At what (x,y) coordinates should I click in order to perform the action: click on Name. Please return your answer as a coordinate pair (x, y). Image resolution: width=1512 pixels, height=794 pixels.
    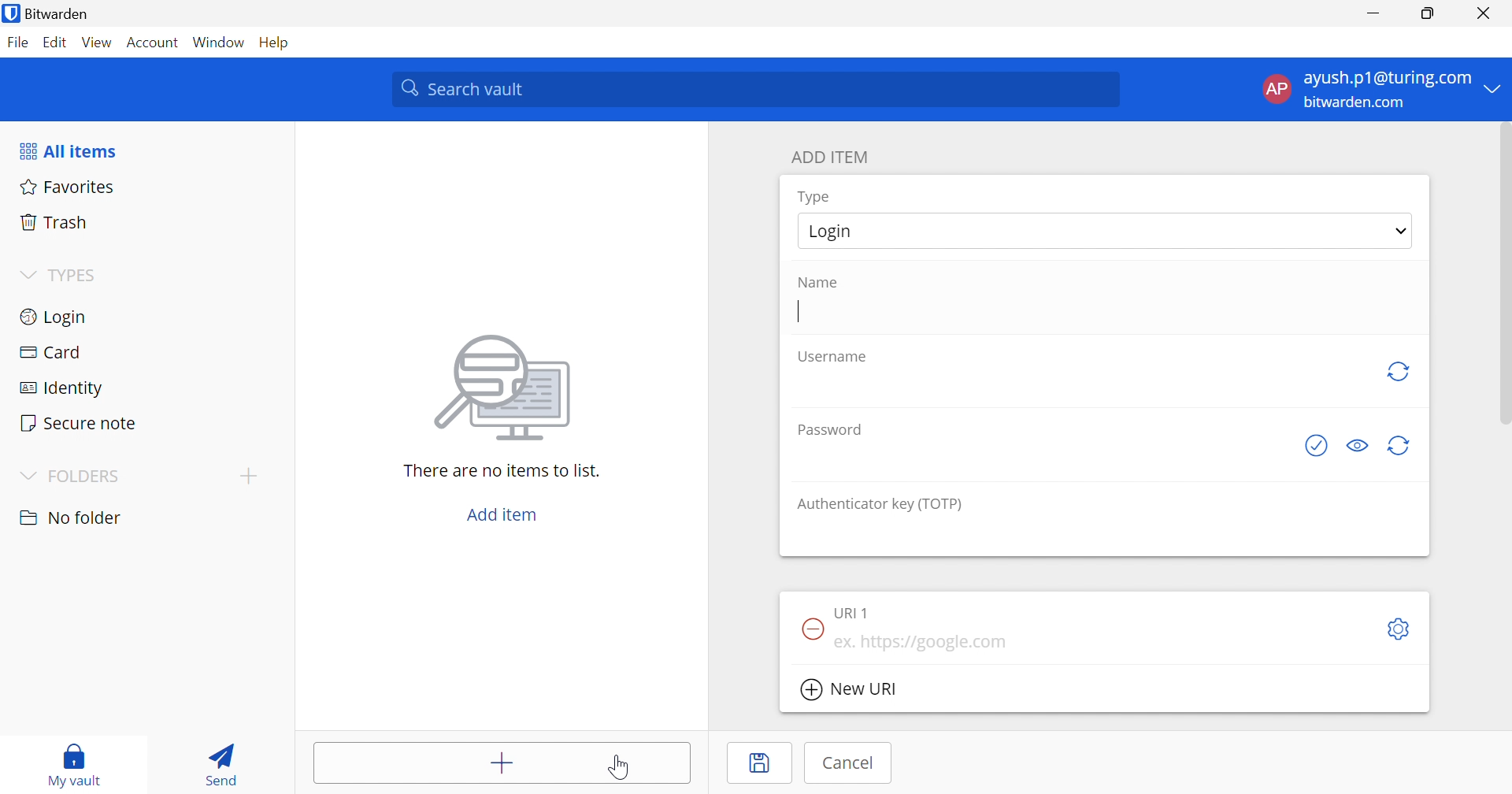
    Looking at the image, I should click on (817, 283).